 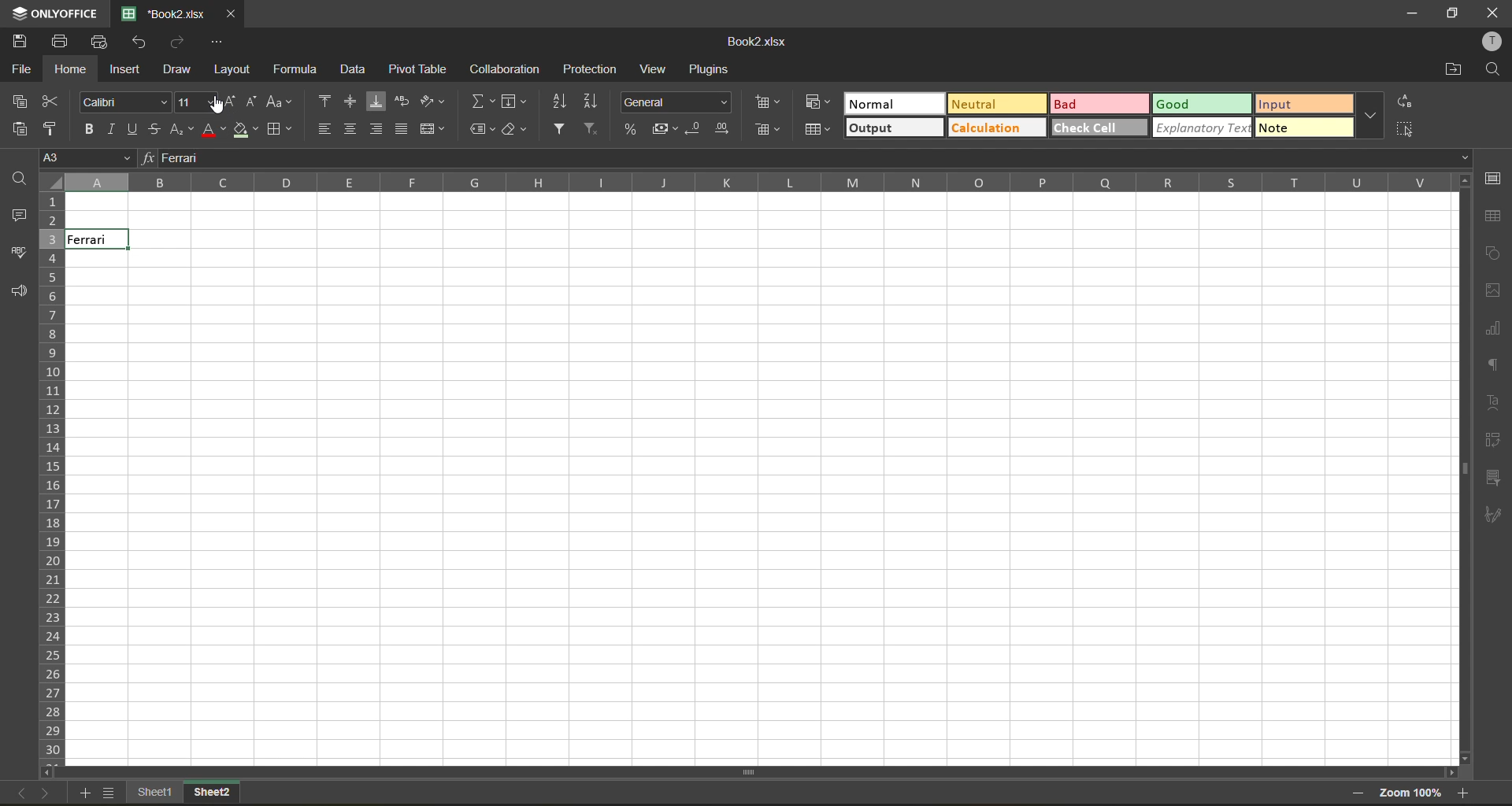 I want to click on calculation, so click(x=995, y=128).